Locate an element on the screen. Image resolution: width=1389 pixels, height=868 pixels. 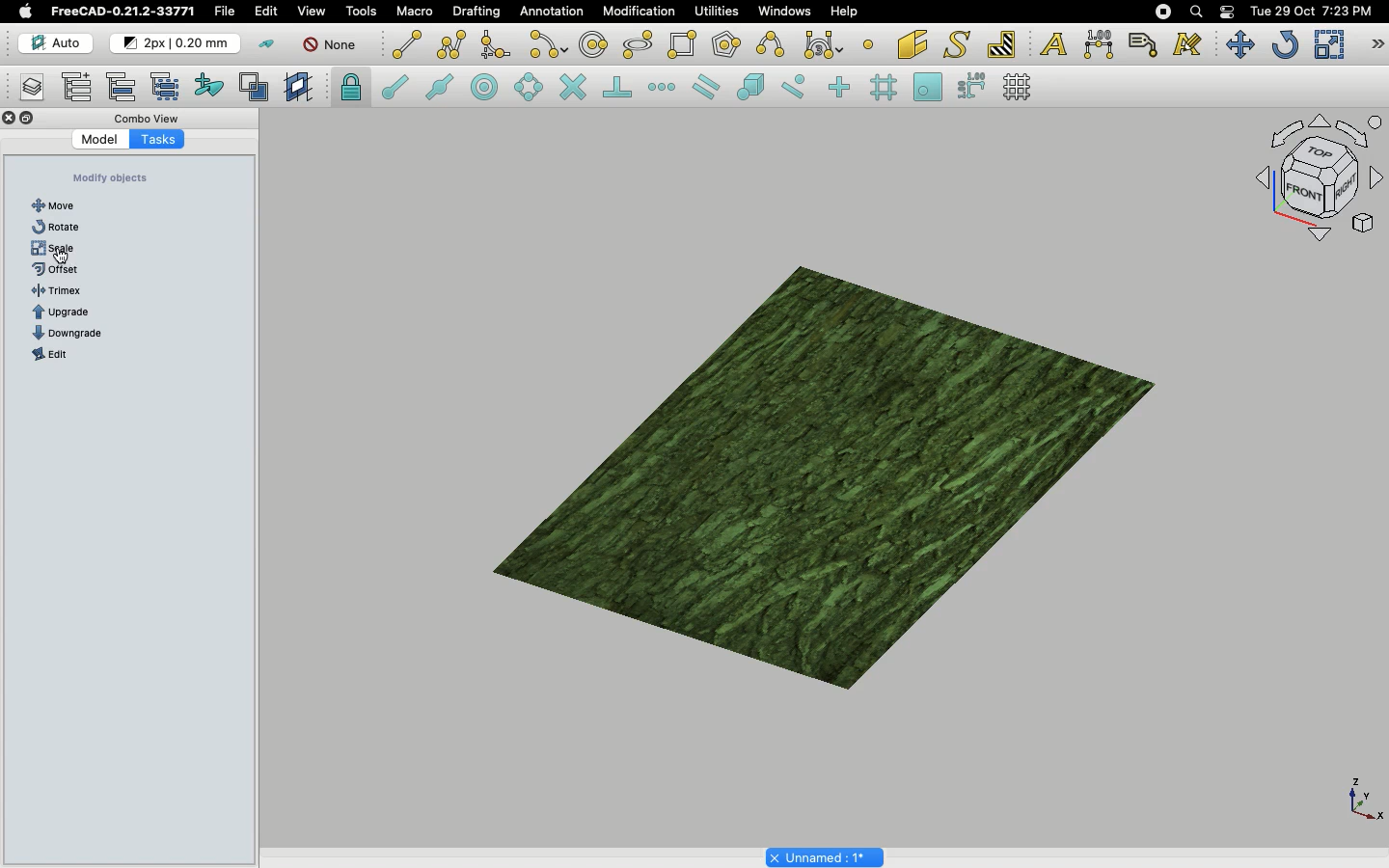
Bezier tools is located at coordinates (826, 44).